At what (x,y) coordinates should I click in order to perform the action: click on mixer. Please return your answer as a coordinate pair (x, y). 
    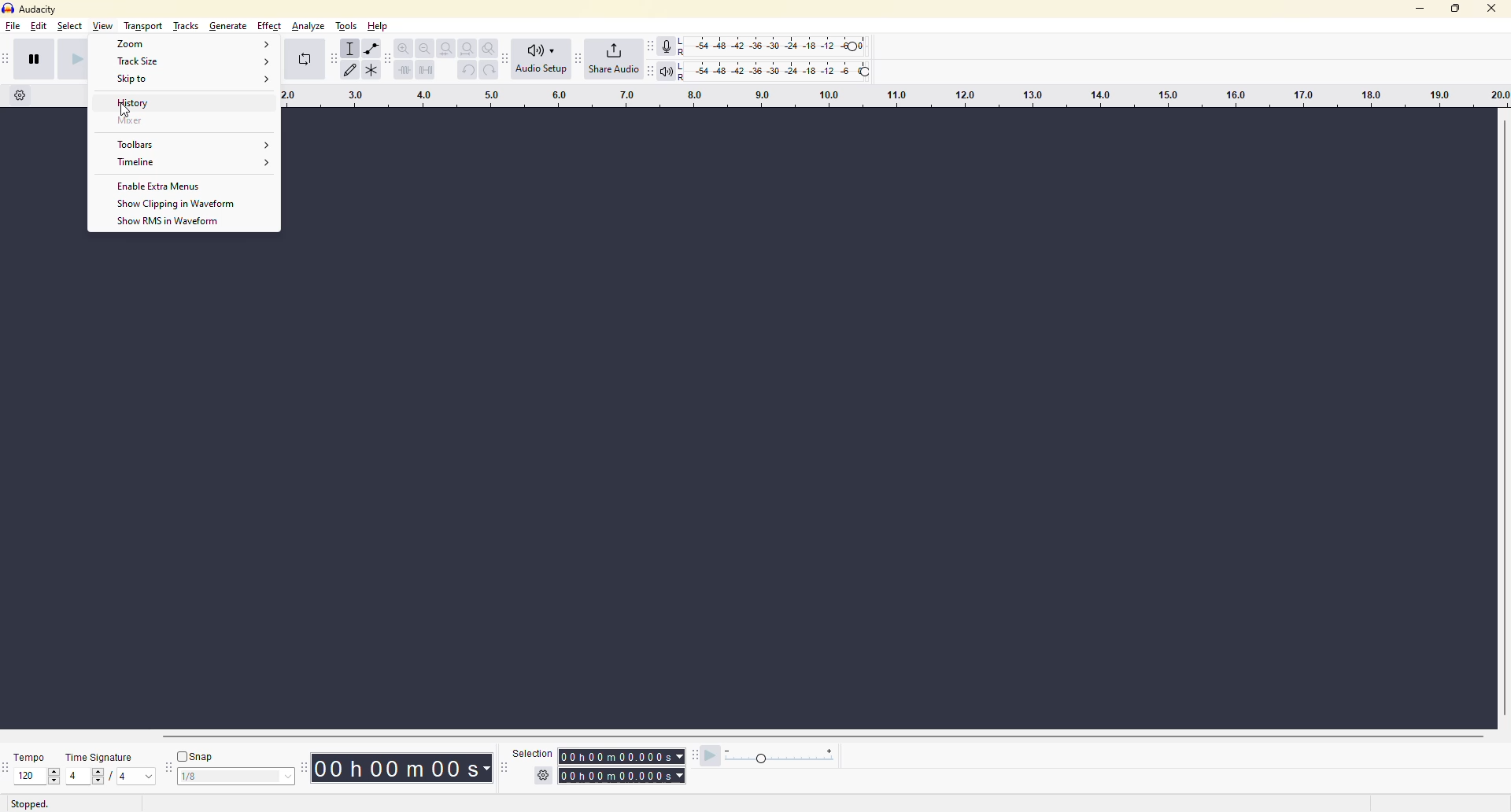
    Looking at the image, I should click on (169, 122).